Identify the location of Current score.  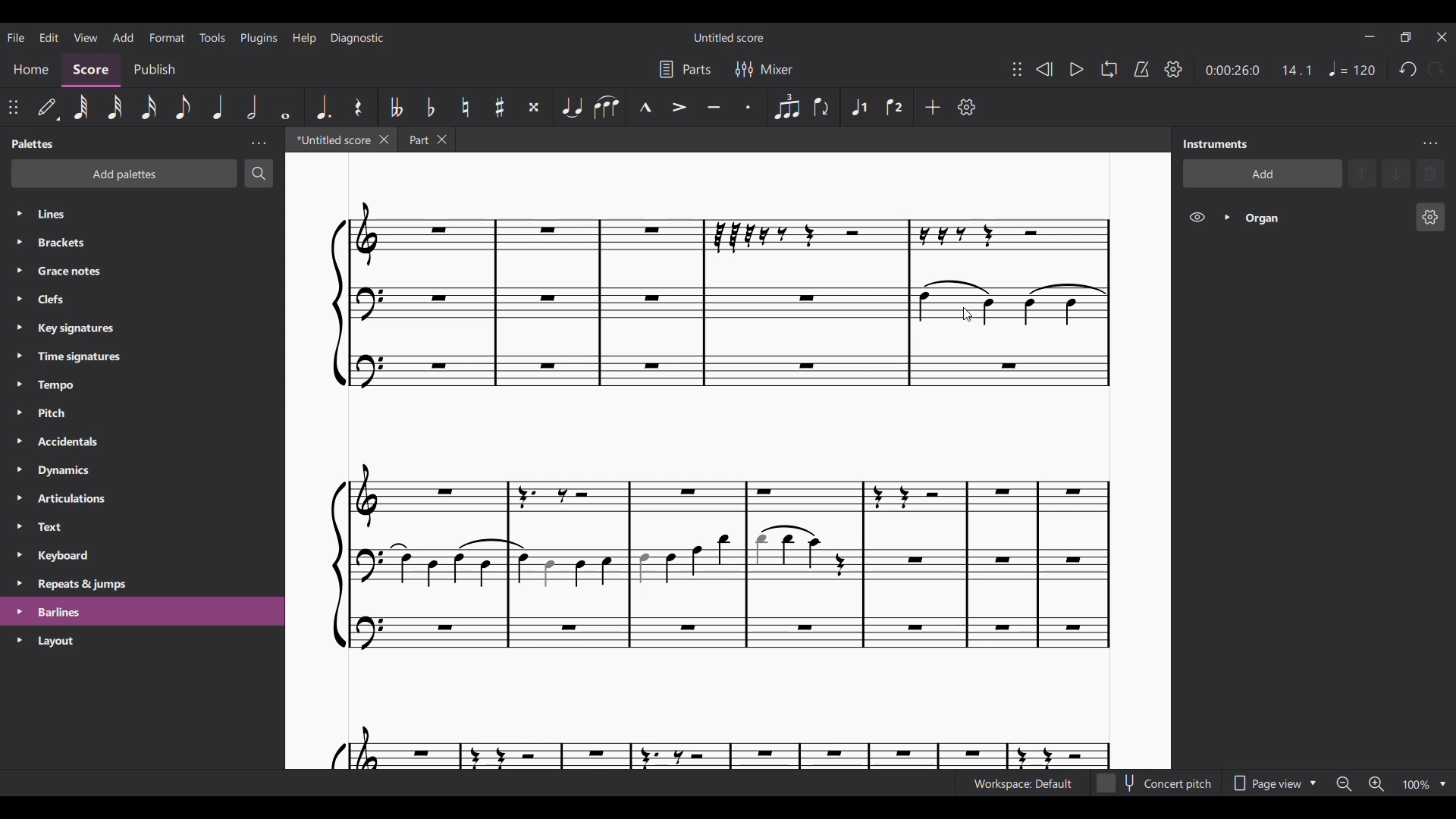
(721, 485).